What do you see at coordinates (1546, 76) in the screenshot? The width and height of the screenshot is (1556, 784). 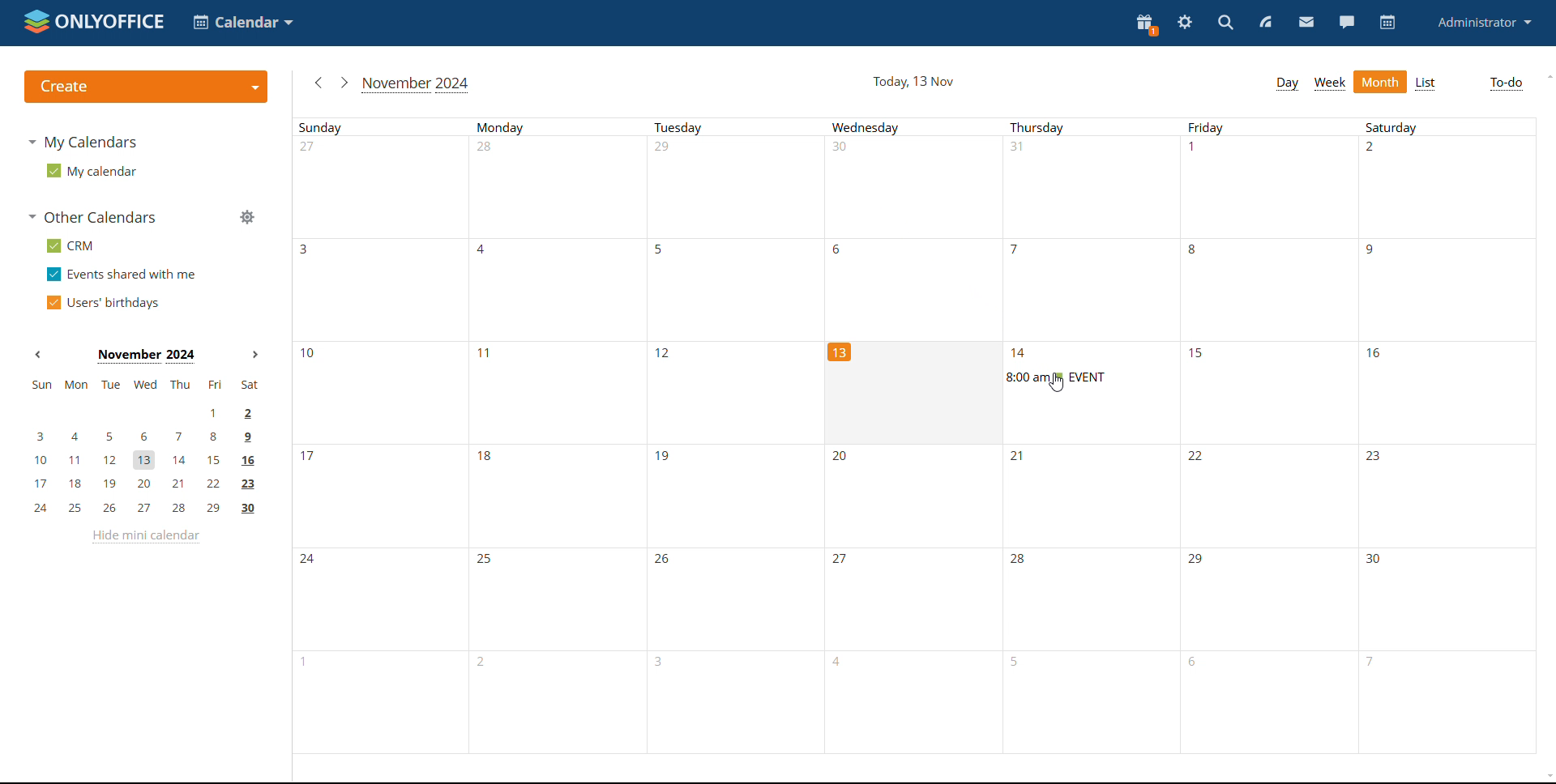 I see `scroll up` at bounding box center [1546, 76].